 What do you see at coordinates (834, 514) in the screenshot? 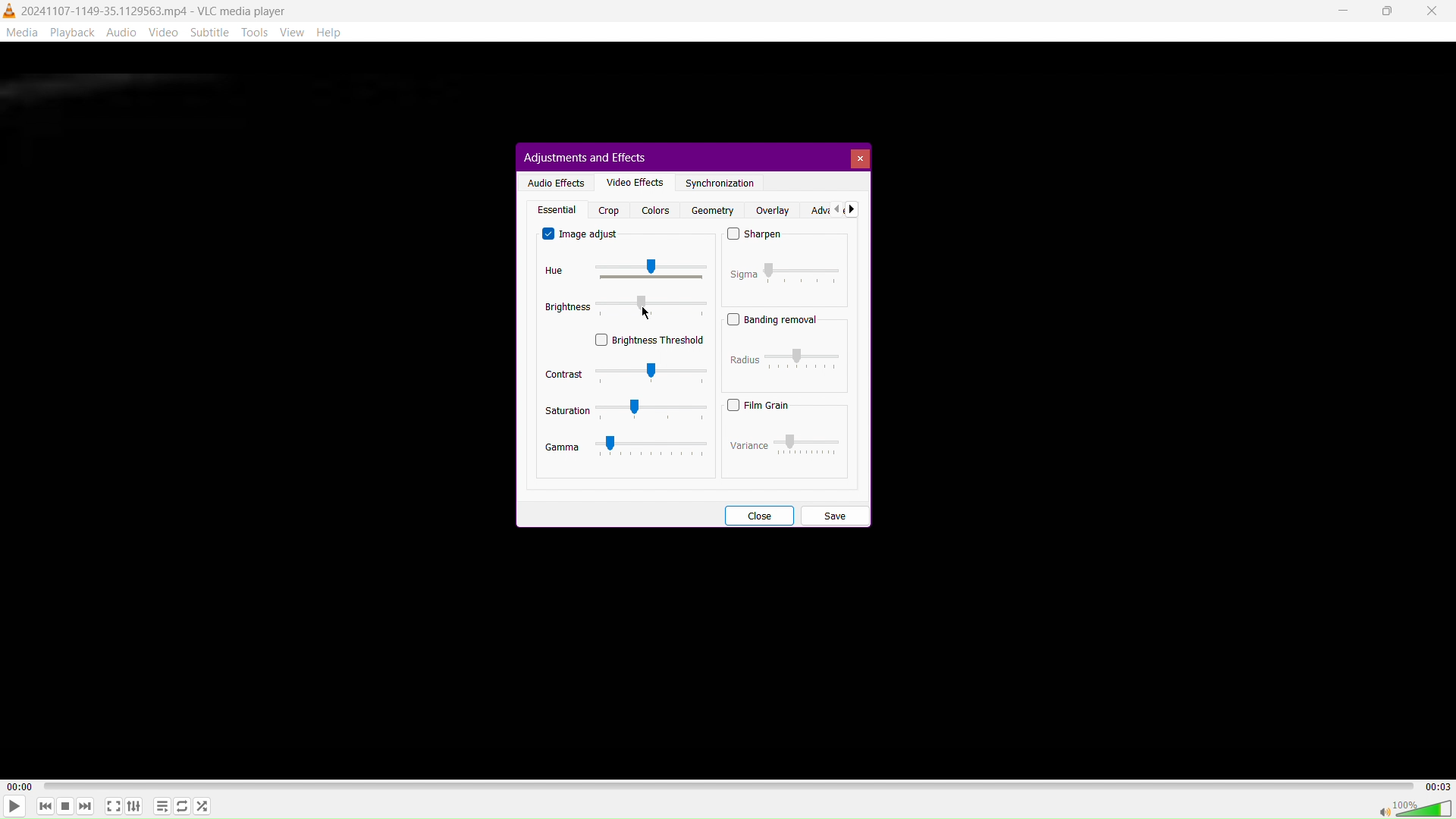
I see `Save` at bounding box center [834, 514].